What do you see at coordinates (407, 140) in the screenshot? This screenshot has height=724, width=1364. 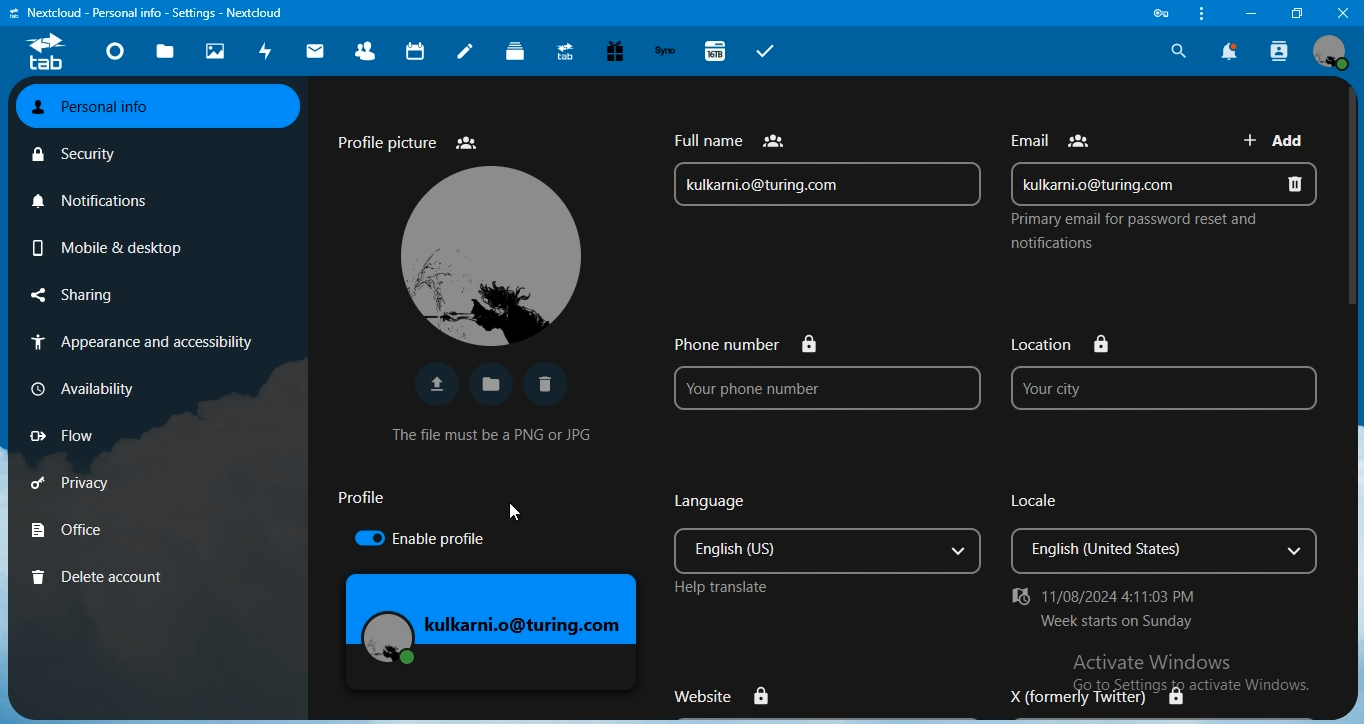 I see `Profile picture` at bounding box center [407, 140].